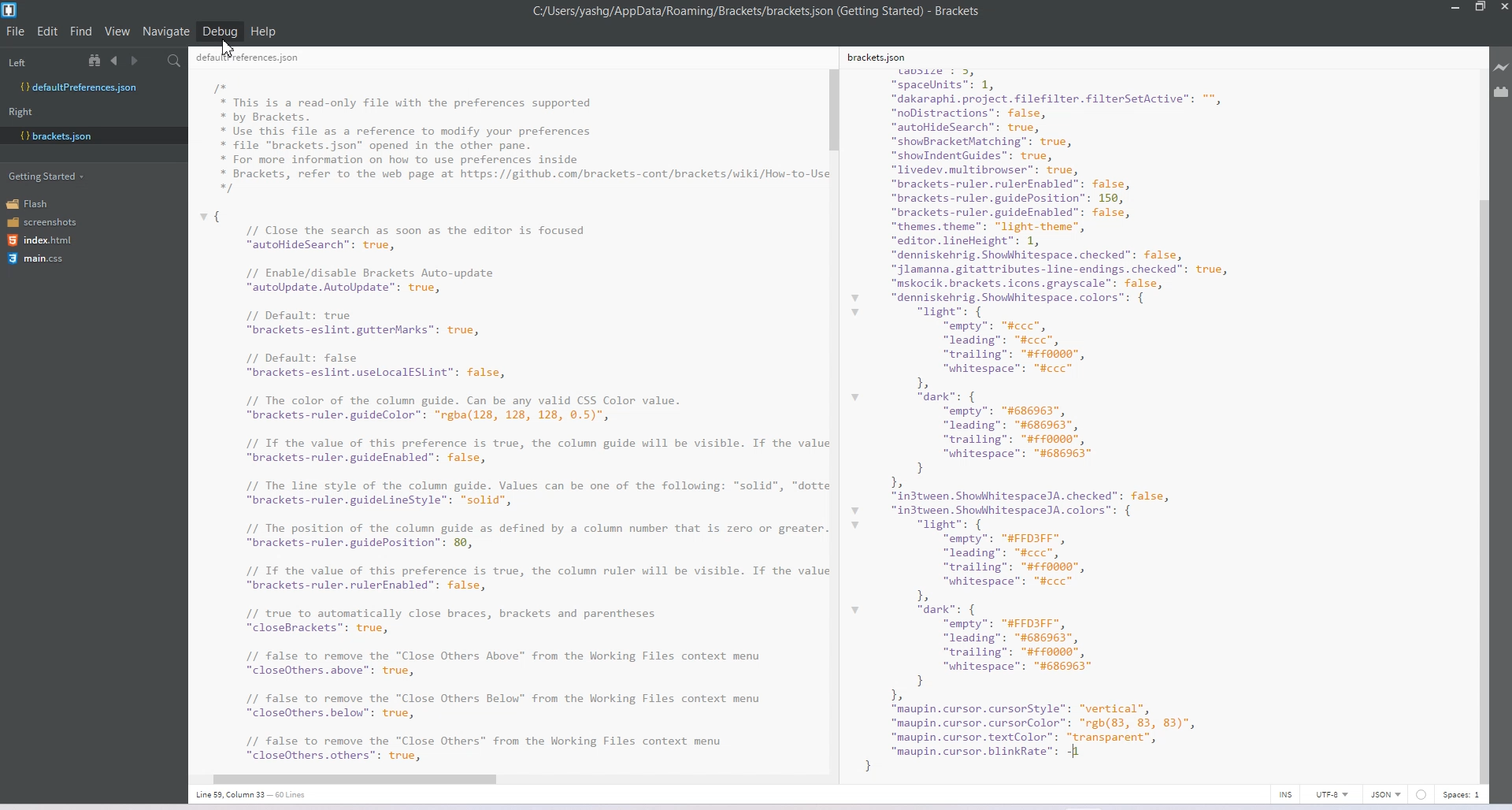 The image size is (1512, 810). What do you see at coordinates (43, 223) in the screenshot?
I see `screenshots` at bounding box center [43, 223].